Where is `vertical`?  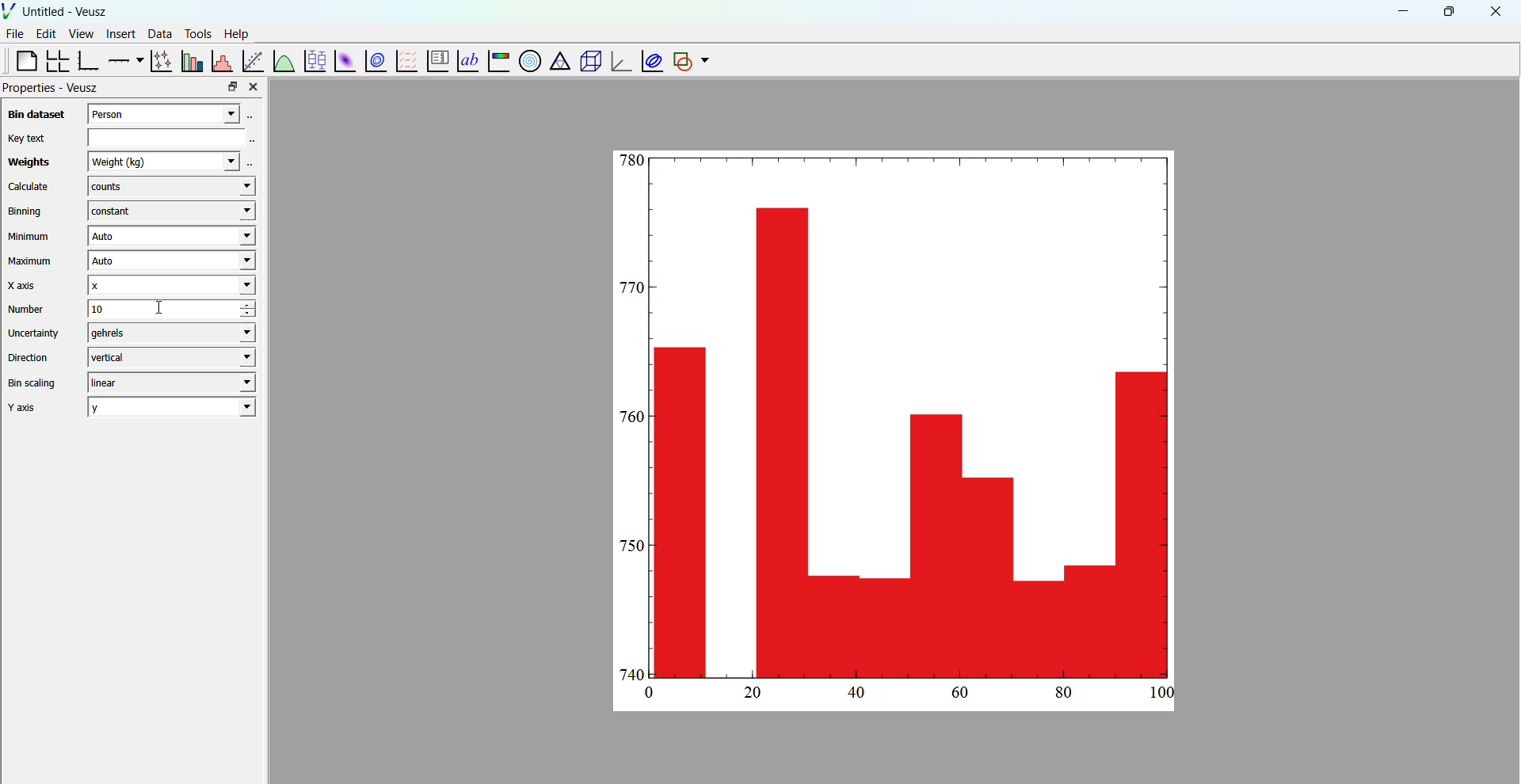
vertical is located at coordinates (170, 356).